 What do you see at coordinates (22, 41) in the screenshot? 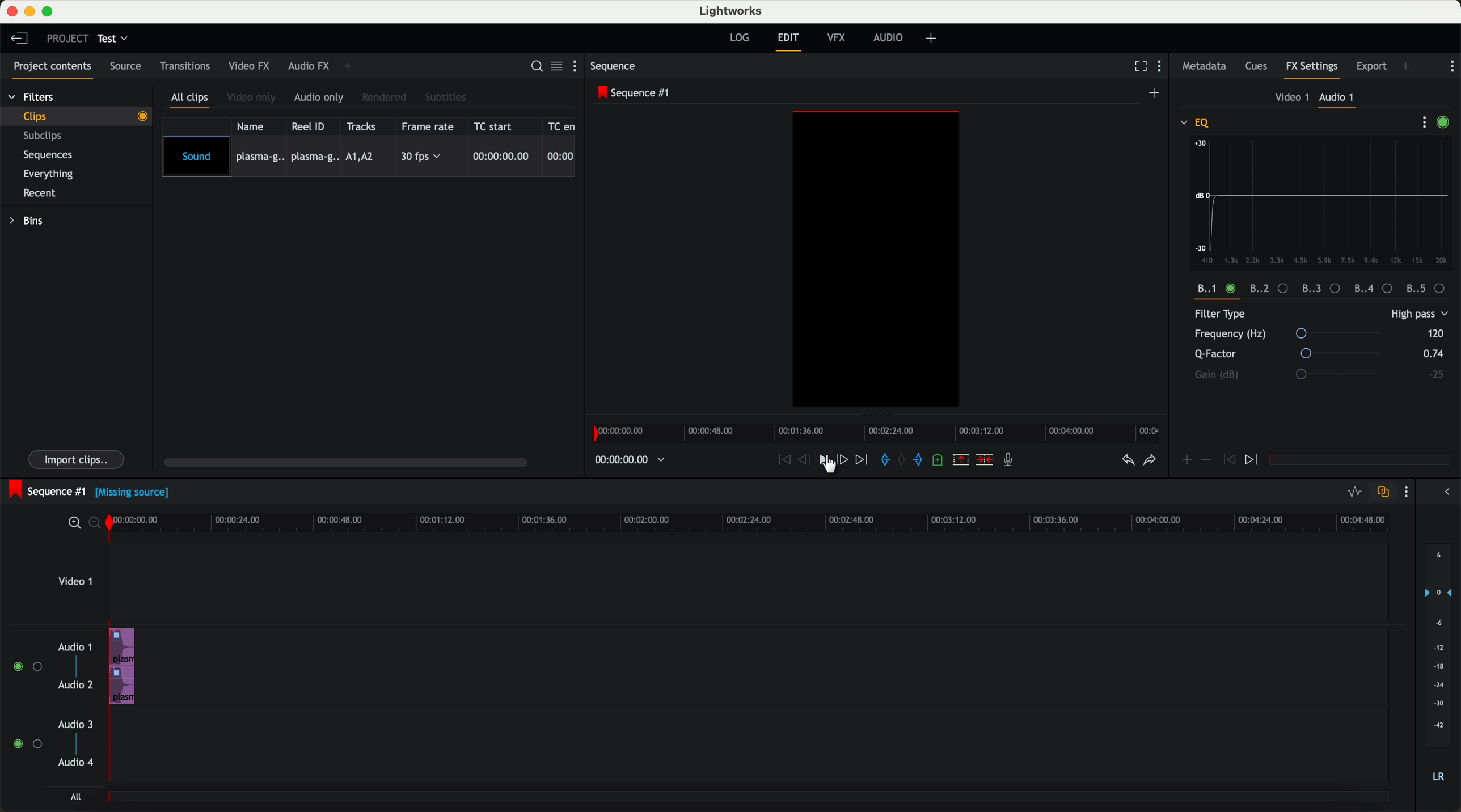
I see `leave` at bounding box center [22, 41].